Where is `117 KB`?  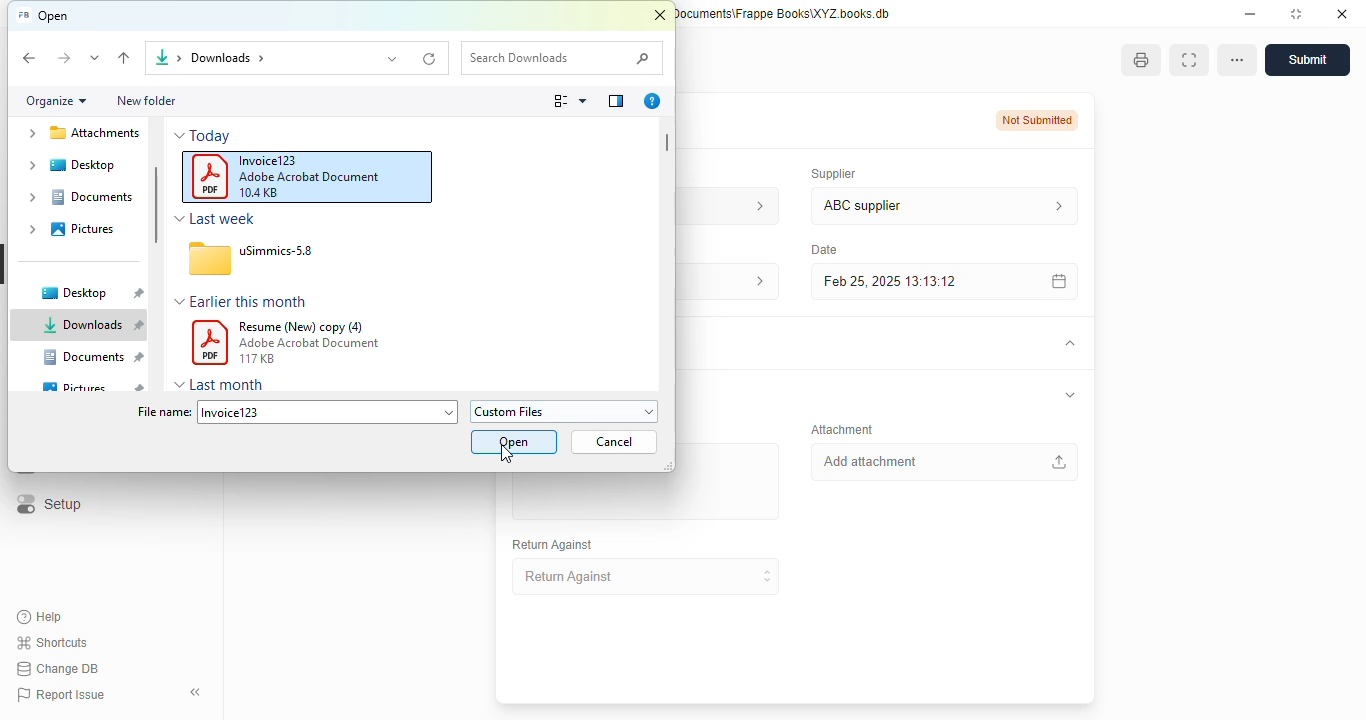
117 KB is located at coordinates (256, 358).